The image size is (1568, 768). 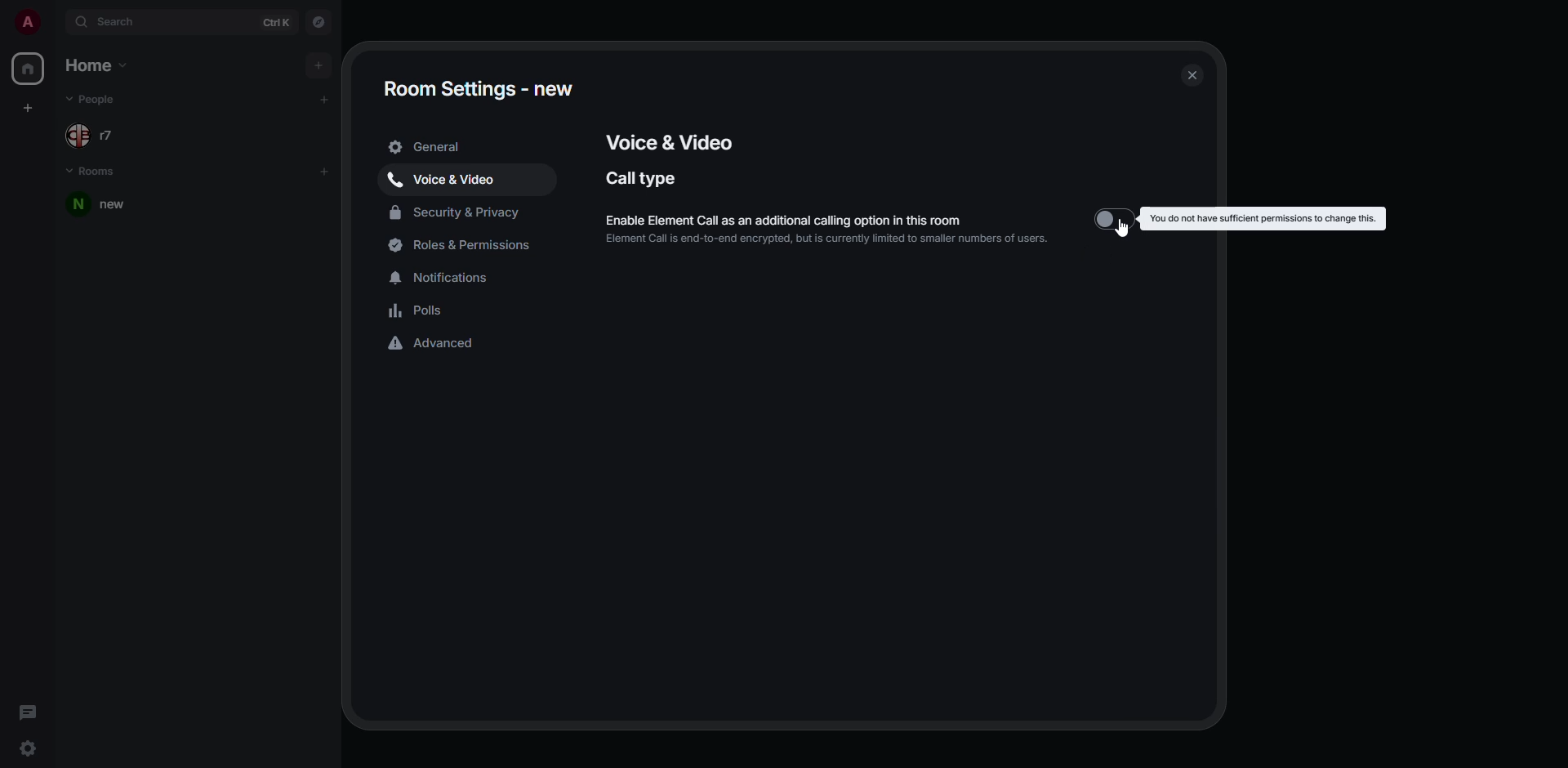 What do you see at coordinates (431, 147) in the screenshot?
I see `general` at bounding box center [431, 147].